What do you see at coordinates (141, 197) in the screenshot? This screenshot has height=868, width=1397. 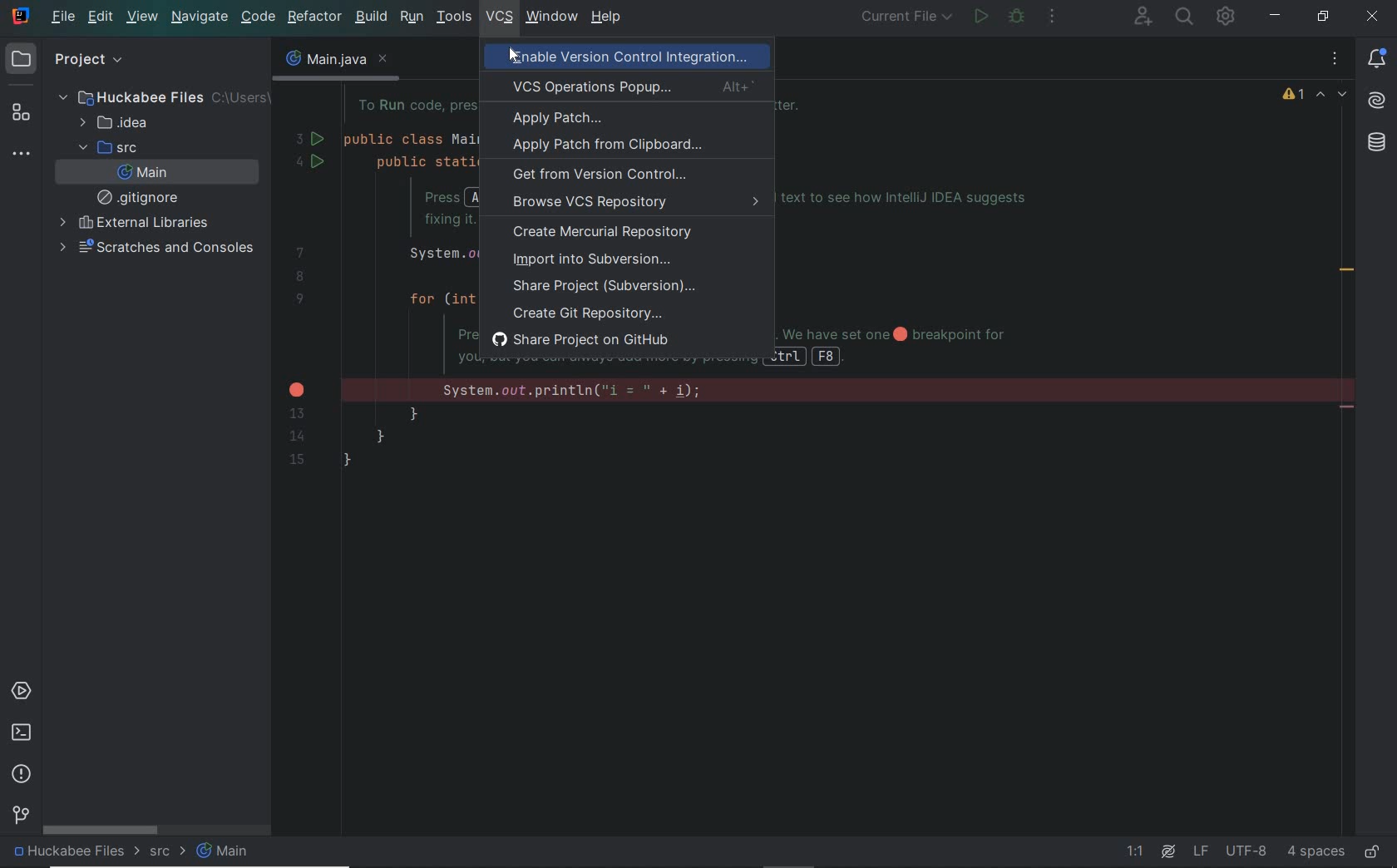 I see `gitignore` at bounding box center [141, 197].